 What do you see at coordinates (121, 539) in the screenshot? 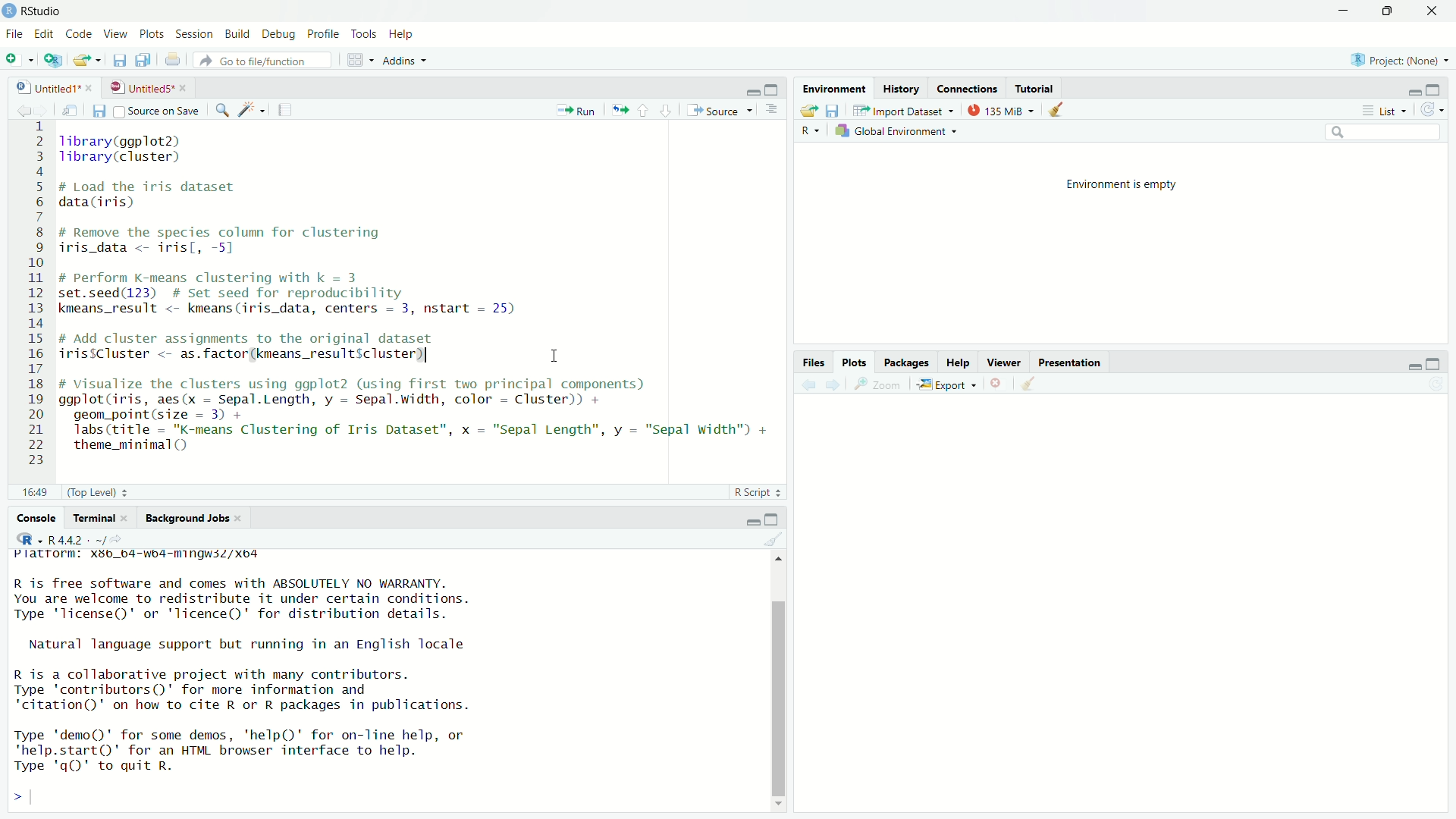
I see `view the current working directory` at bounding box center [121, 539].